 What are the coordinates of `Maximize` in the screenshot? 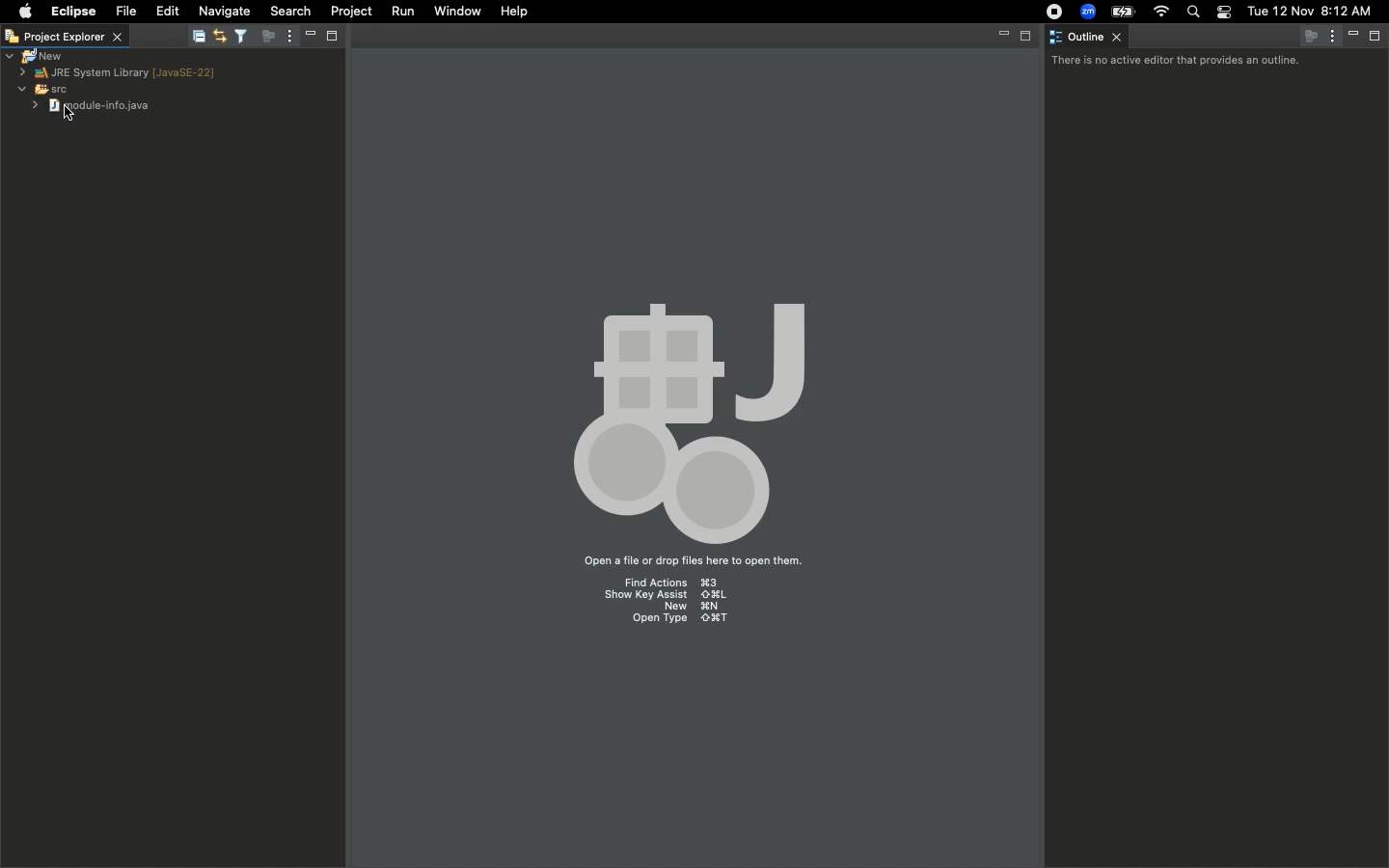 It's located at (1028, 36).